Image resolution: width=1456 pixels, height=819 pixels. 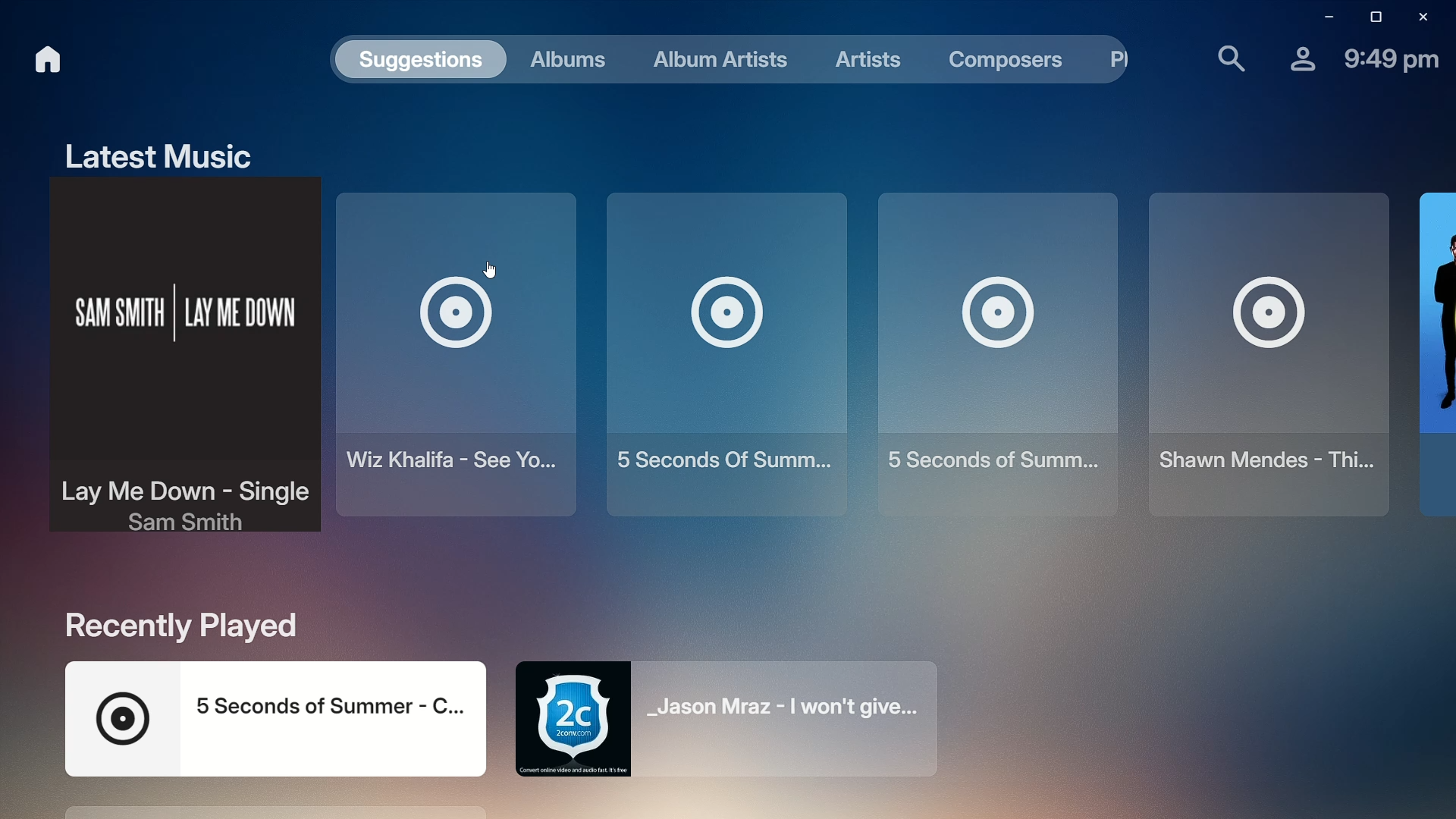 What do you see at coordinates (457, 361) in the screenshot?
I see `Wiz Khalifa` at bounding box center [457, 361].